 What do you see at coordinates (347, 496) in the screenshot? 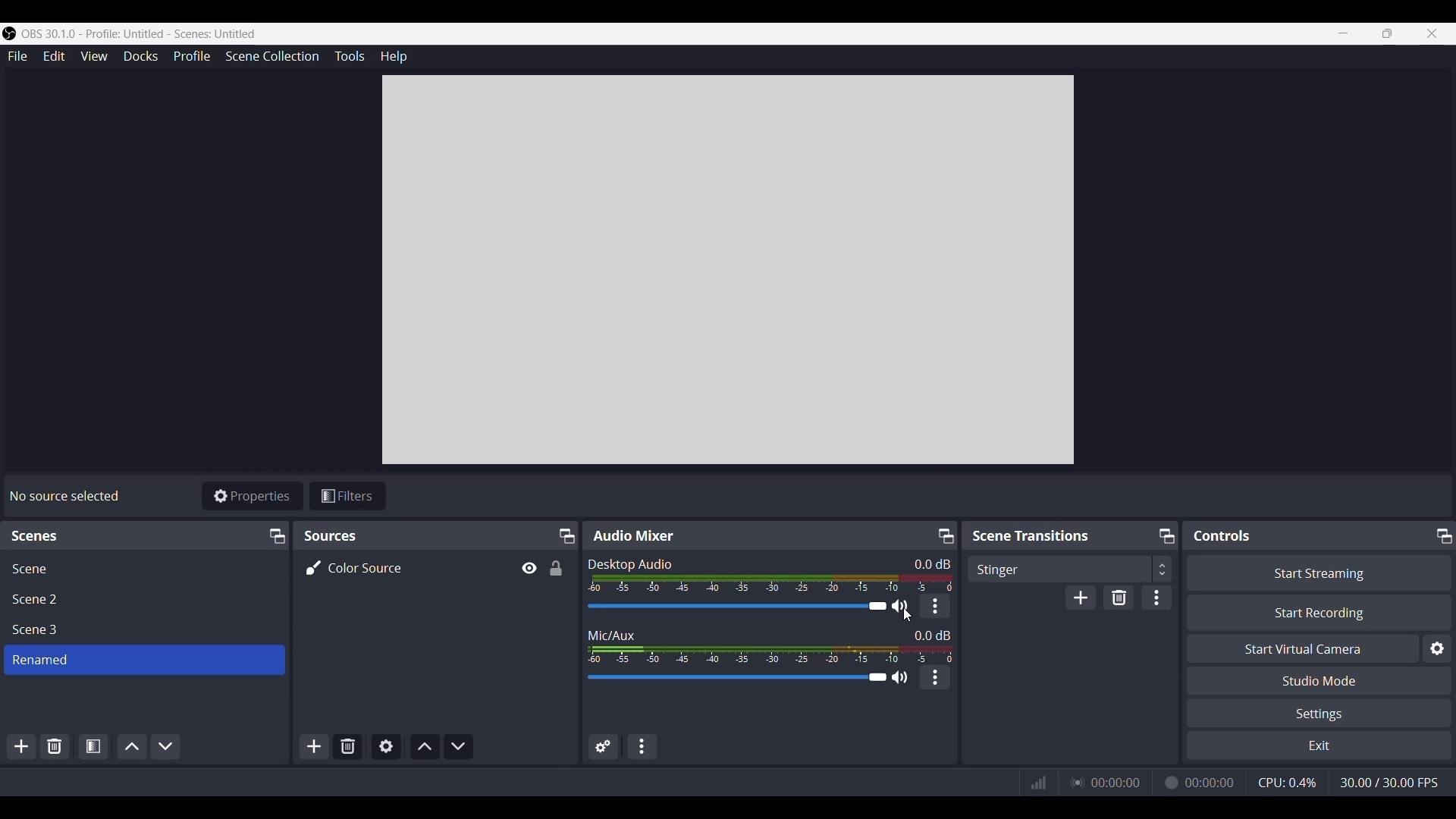
I see `Filters` at bounding box center [347, 496].